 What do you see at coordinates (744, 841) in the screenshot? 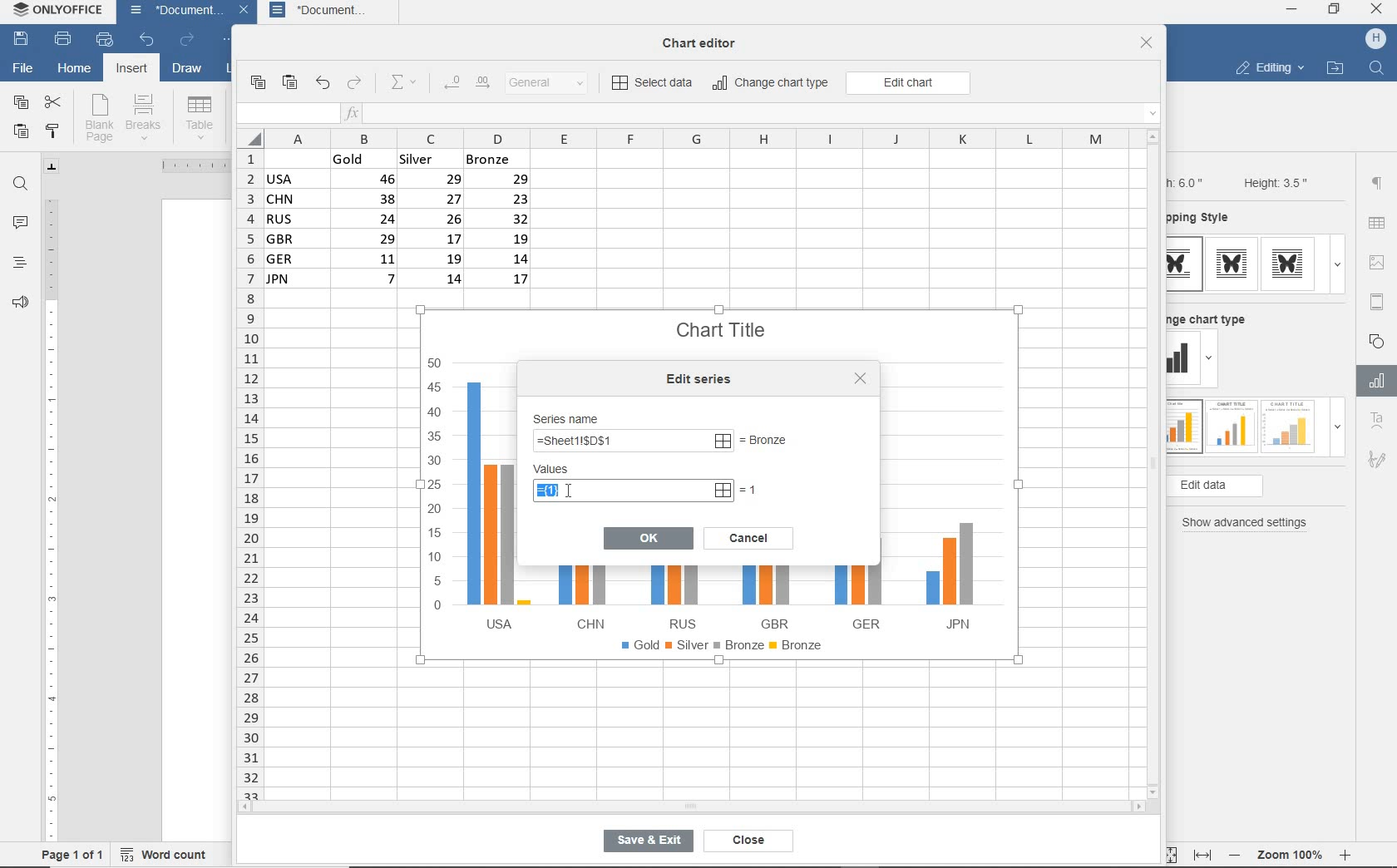
I see `close` at bounding box center [744, 841].